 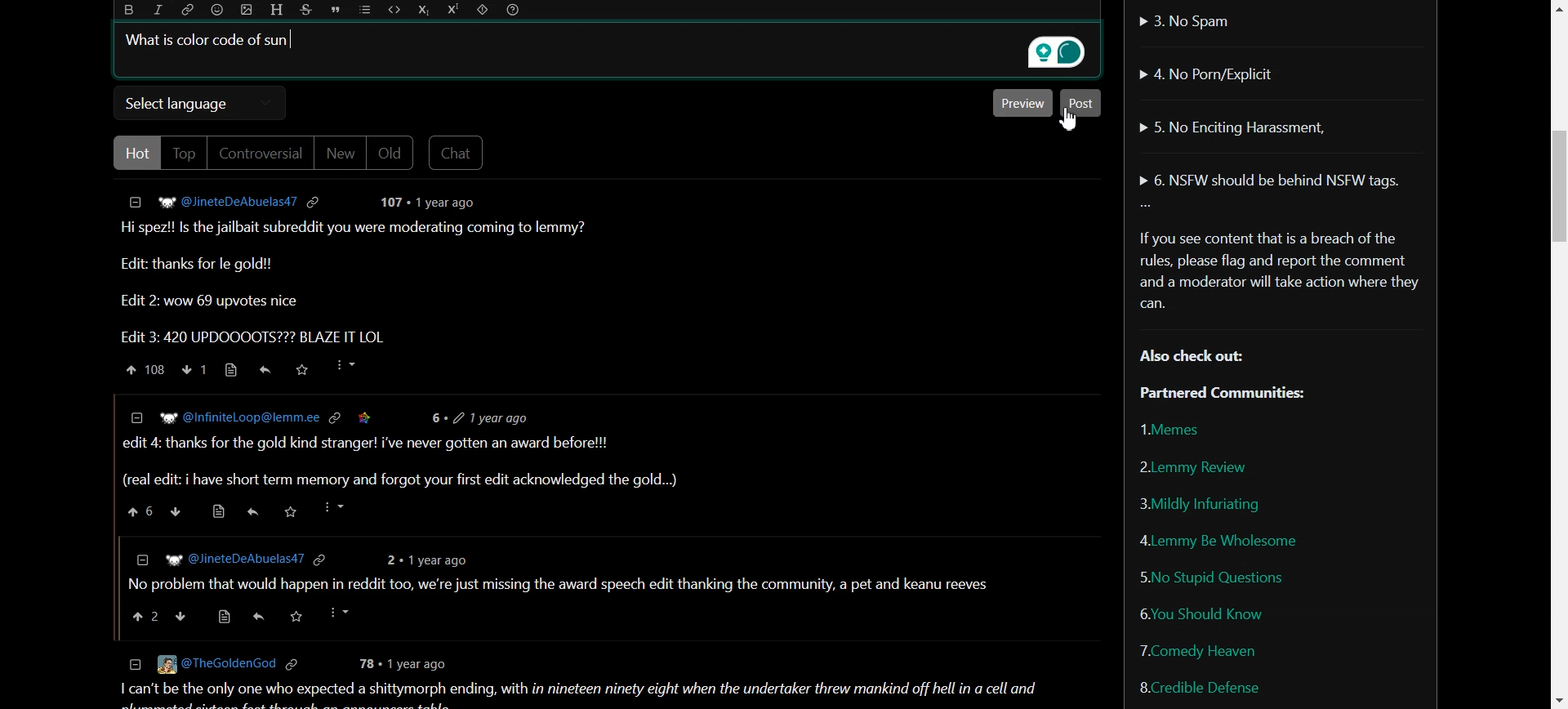 What do you see at coordinates (1209, 74) in the screenshot?
I see `No Porn/Explicit` at bounding box center [1209, 74].